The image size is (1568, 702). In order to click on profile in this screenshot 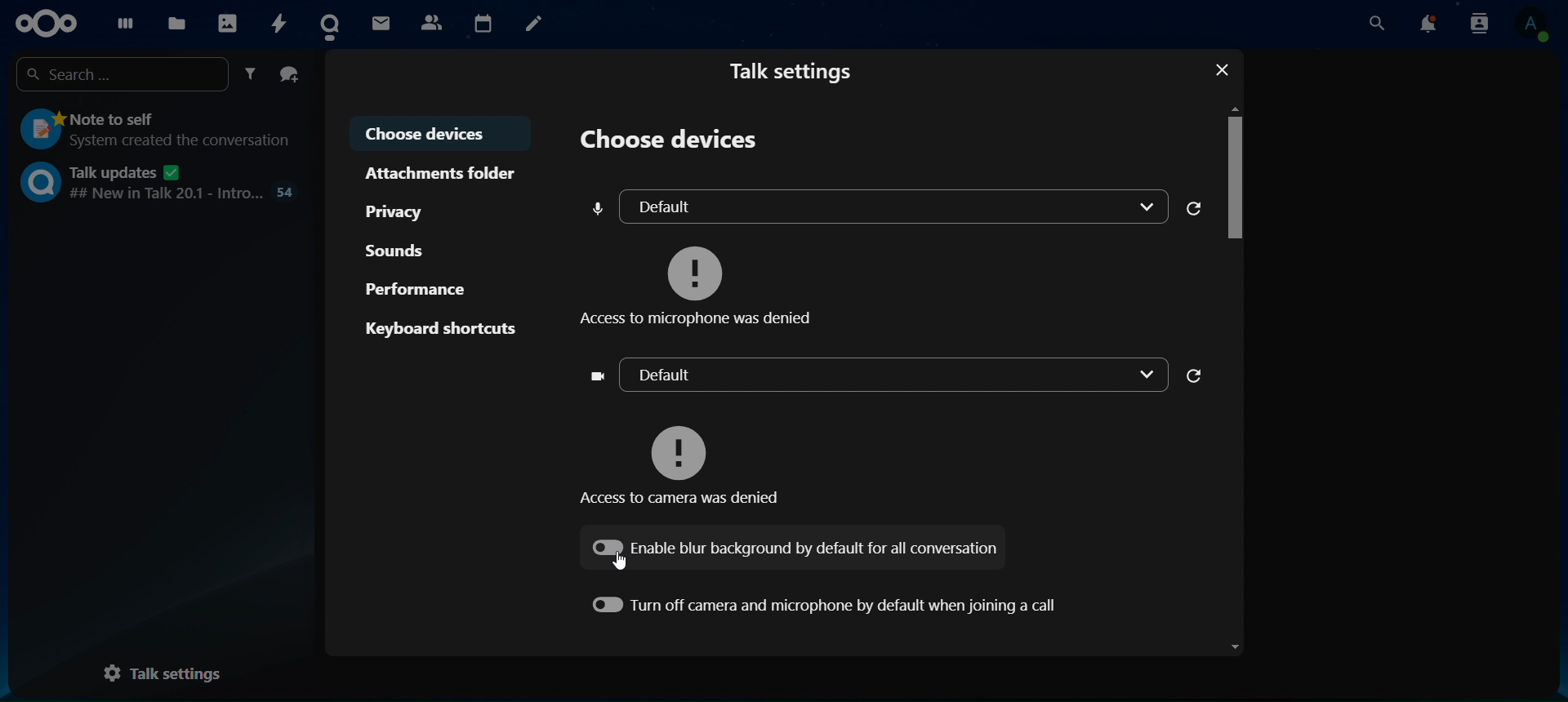, I will do `click(1537, 26)`.